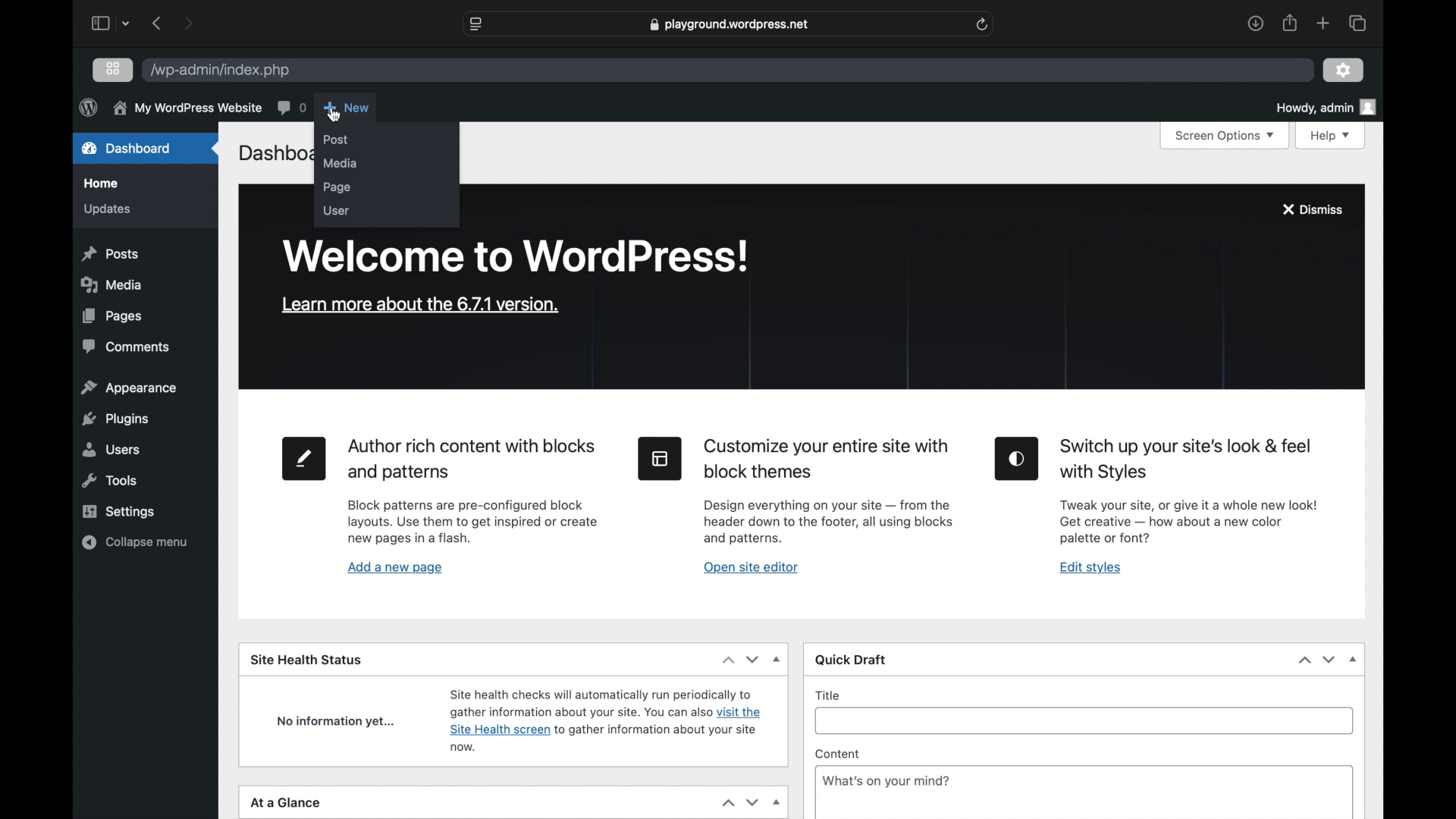  Describe the element at coordinates (982, 24) in the screenshot. I see `refresh` at that location.